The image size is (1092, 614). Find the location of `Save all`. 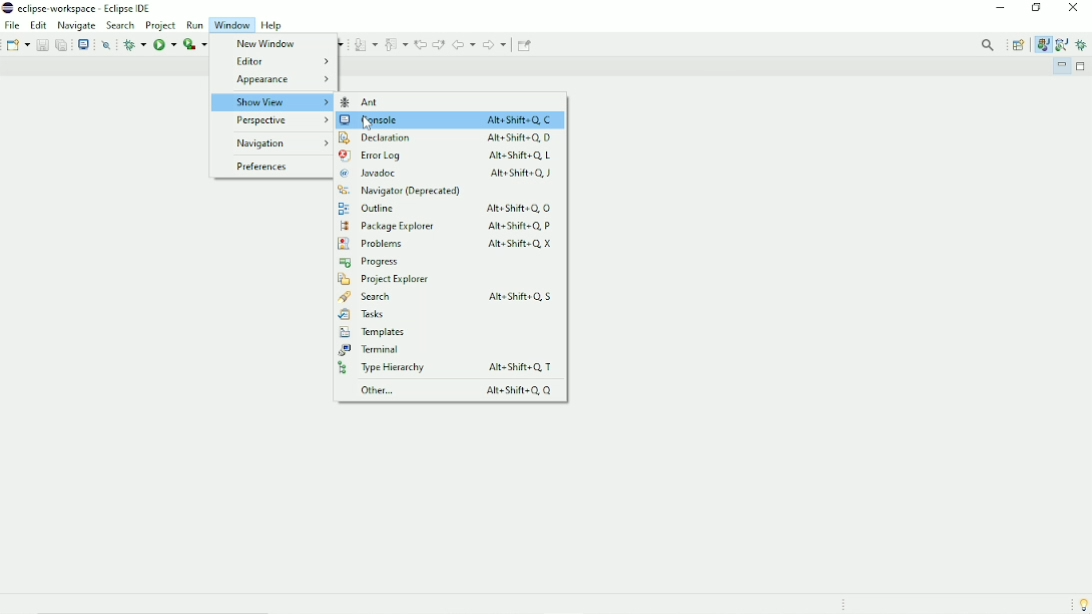

Save all is located at coordinates (60, 44).